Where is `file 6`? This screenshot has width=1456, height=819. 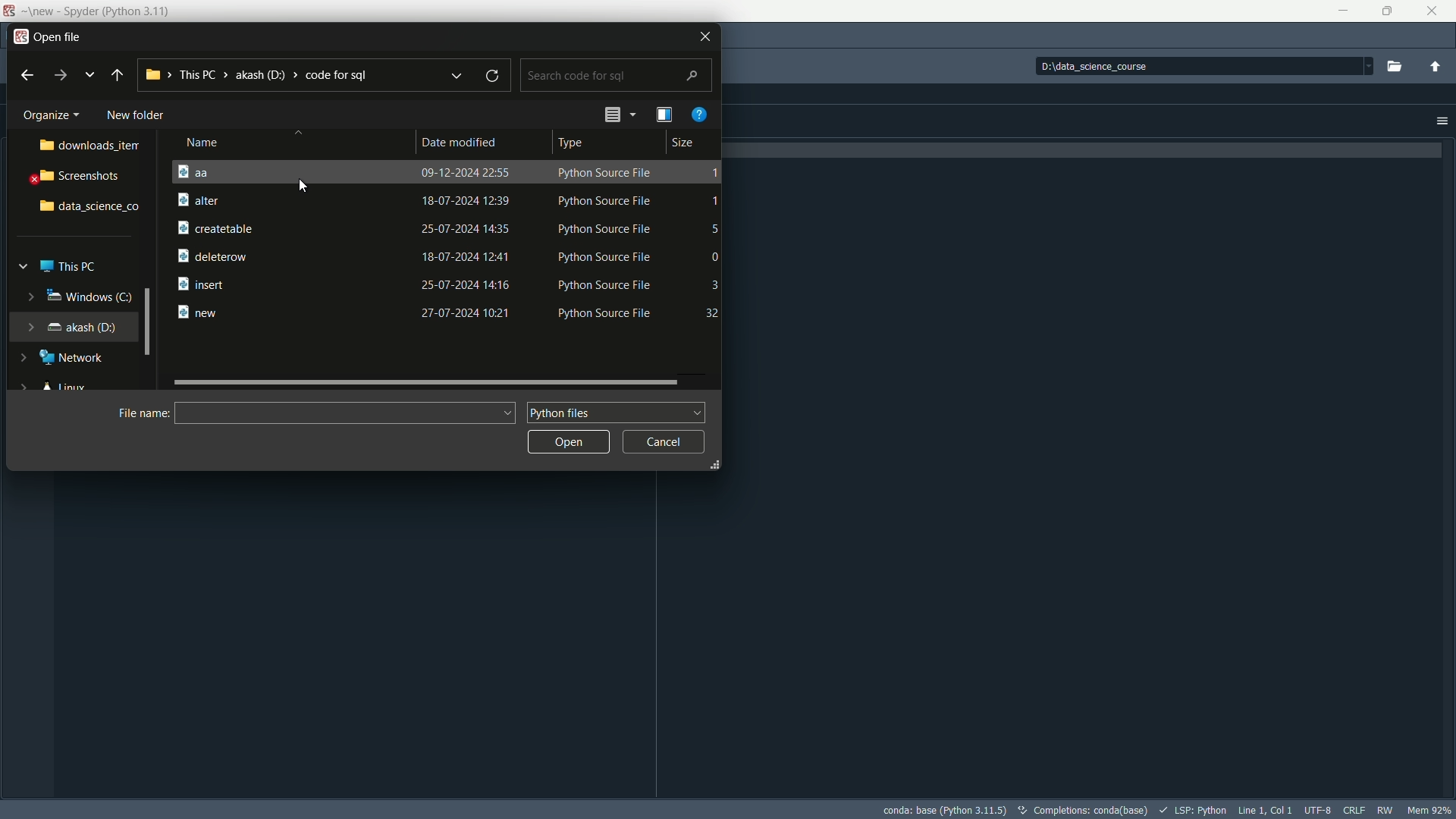
file 6 is located at coordinates (442, 314).